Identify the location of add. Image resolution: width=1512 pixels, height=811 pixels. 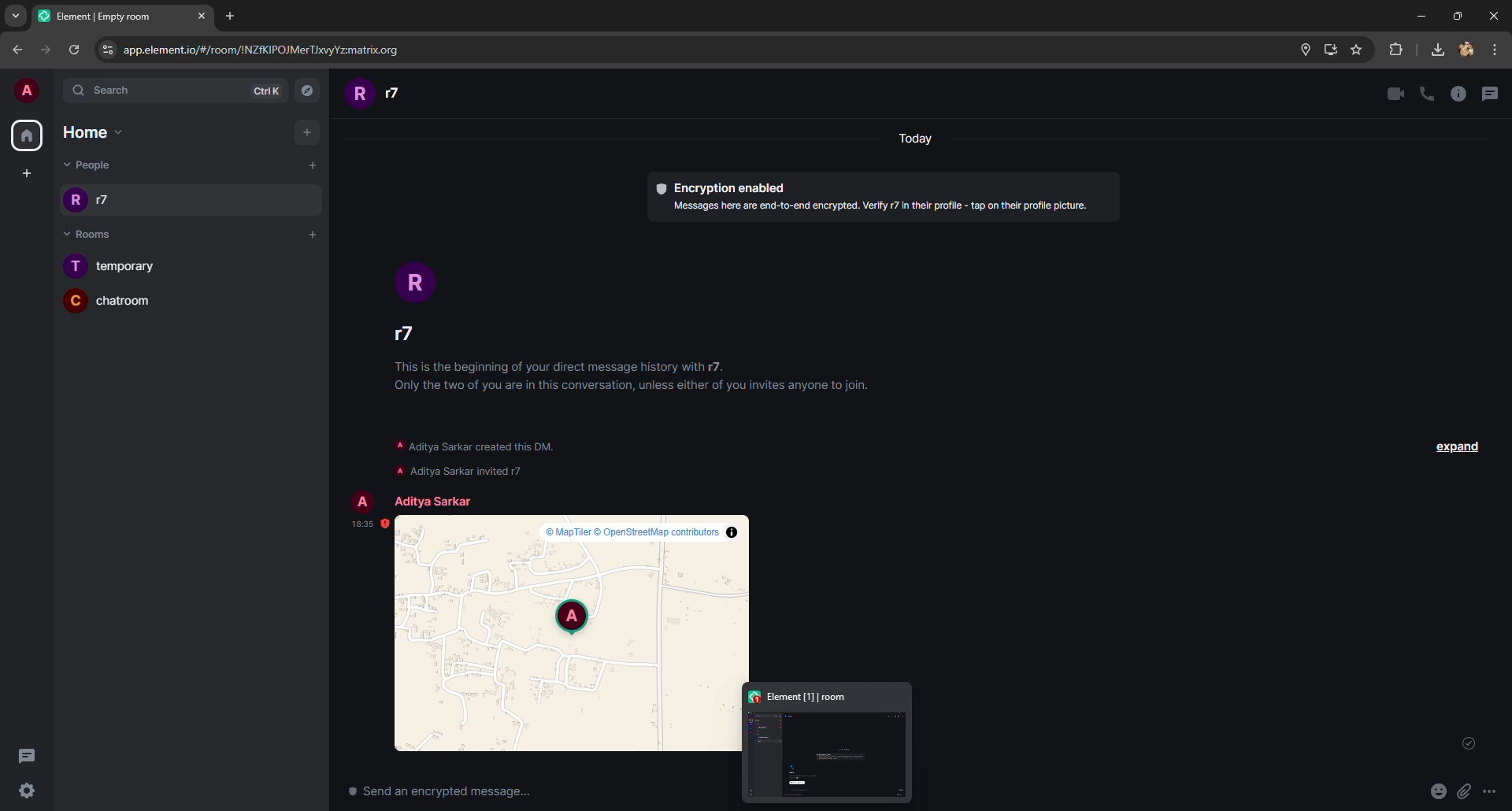
(305, 237).